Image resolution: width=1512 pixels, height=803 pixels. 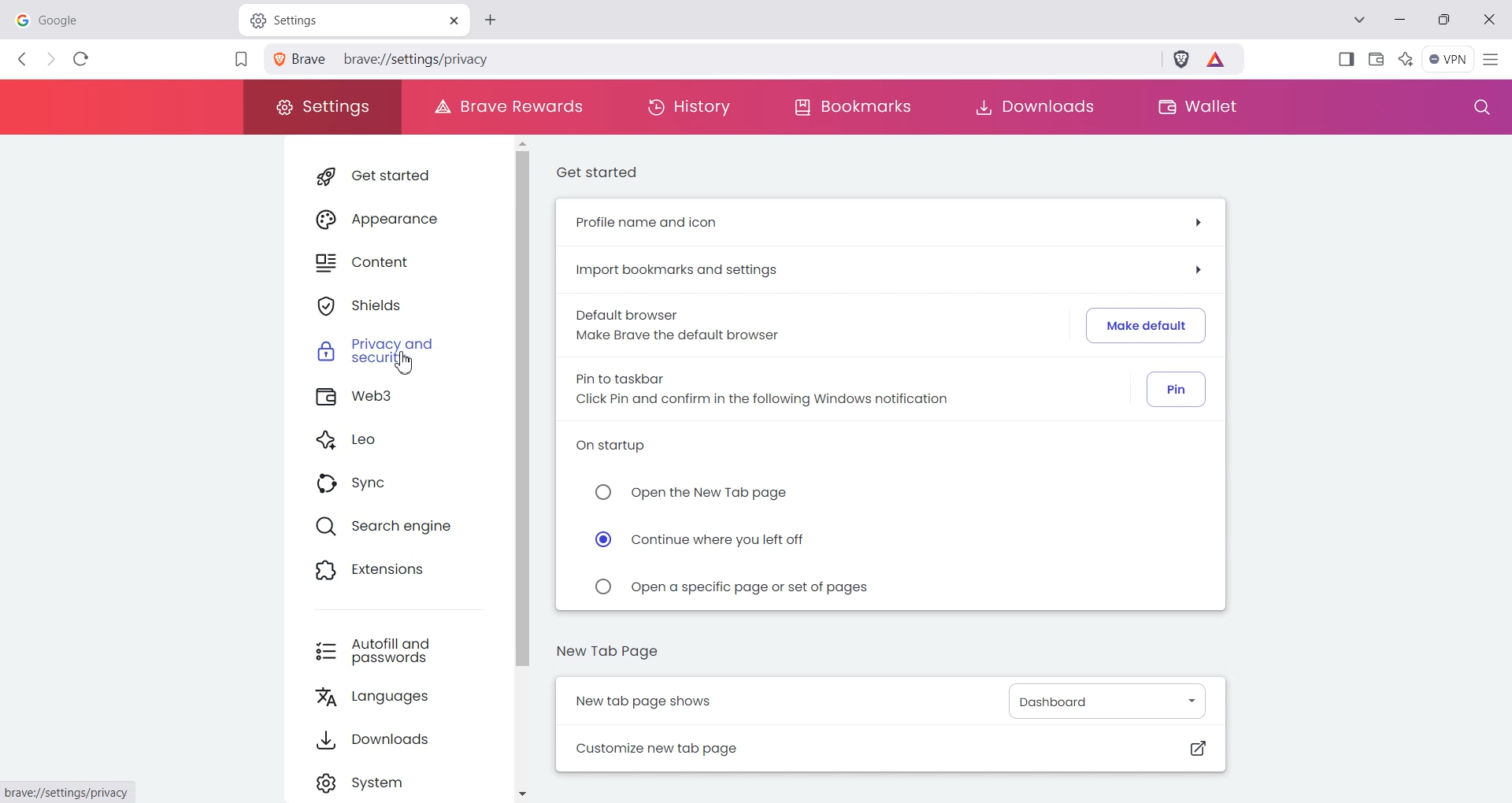 What do you see at coordinates (321, 107) in the screenshot?
I see `Settings` at bounding box center [321, 107].